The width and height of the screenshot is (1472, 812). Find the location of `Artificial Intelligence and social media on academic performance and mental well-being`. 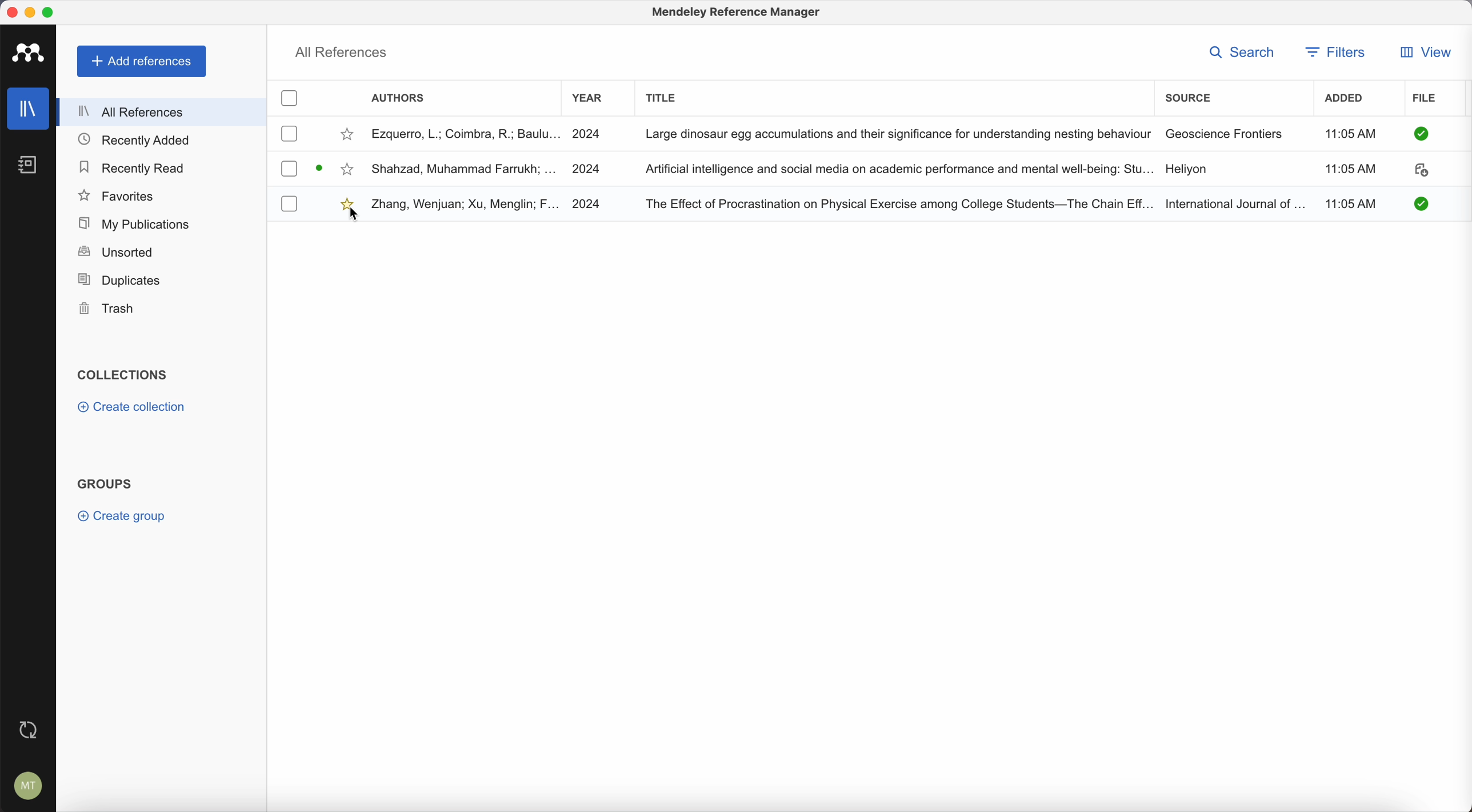

Artificial Intelligence and social media on academic performance and mental well-being is located at coordinates (899, 169).